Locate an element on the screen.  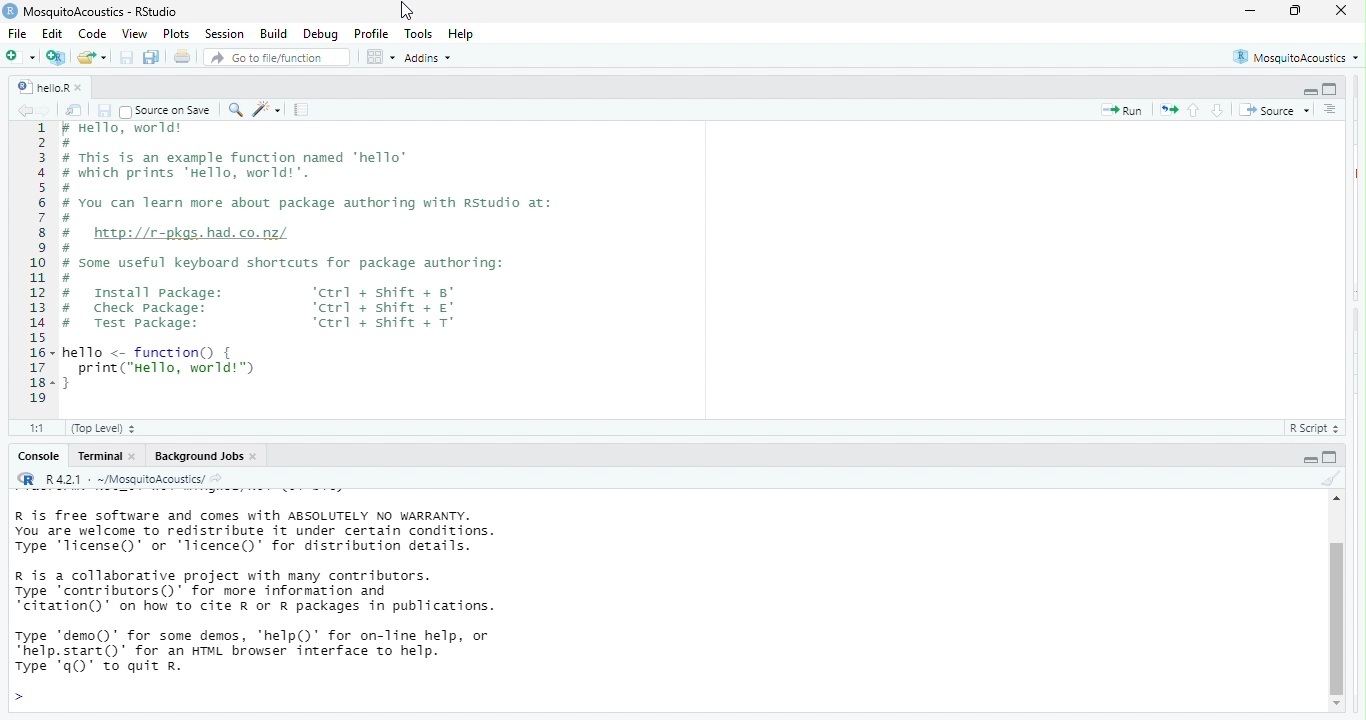
el sie tl—pbmsly-sy-—ibejsiyrisisns-mnisbepalioer-flaimyir-il-d
You are welcome to redistribute it under certain conditions.

Type ‘license()' or ‘licence()' for distribution details.

R is a collaborative project with many contributors.

Type contributors)’ for more information and

“citation()’ on how to cite R or R packages in publications.

Type ‘demo()' for some demos, ‘'help()’ for on-line help, or

“help.start()’ for an HTML browser interface to help.

Type 'q0)" to quit R. is located at coordinates (308, 596).